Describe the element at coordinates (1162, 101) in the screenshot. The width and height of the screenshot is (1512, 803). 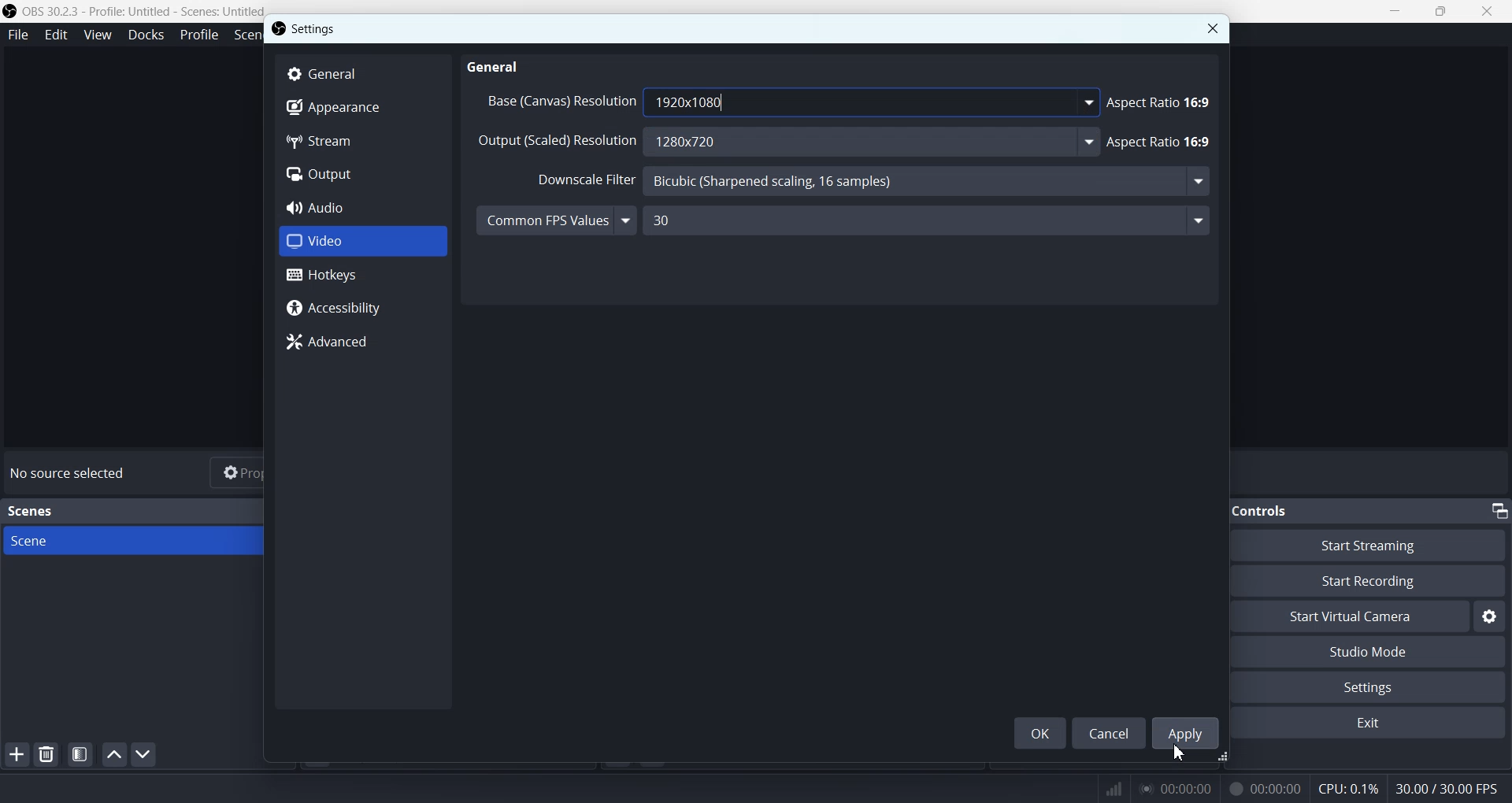
I see `Aspect Ratio 16:9` at that location.